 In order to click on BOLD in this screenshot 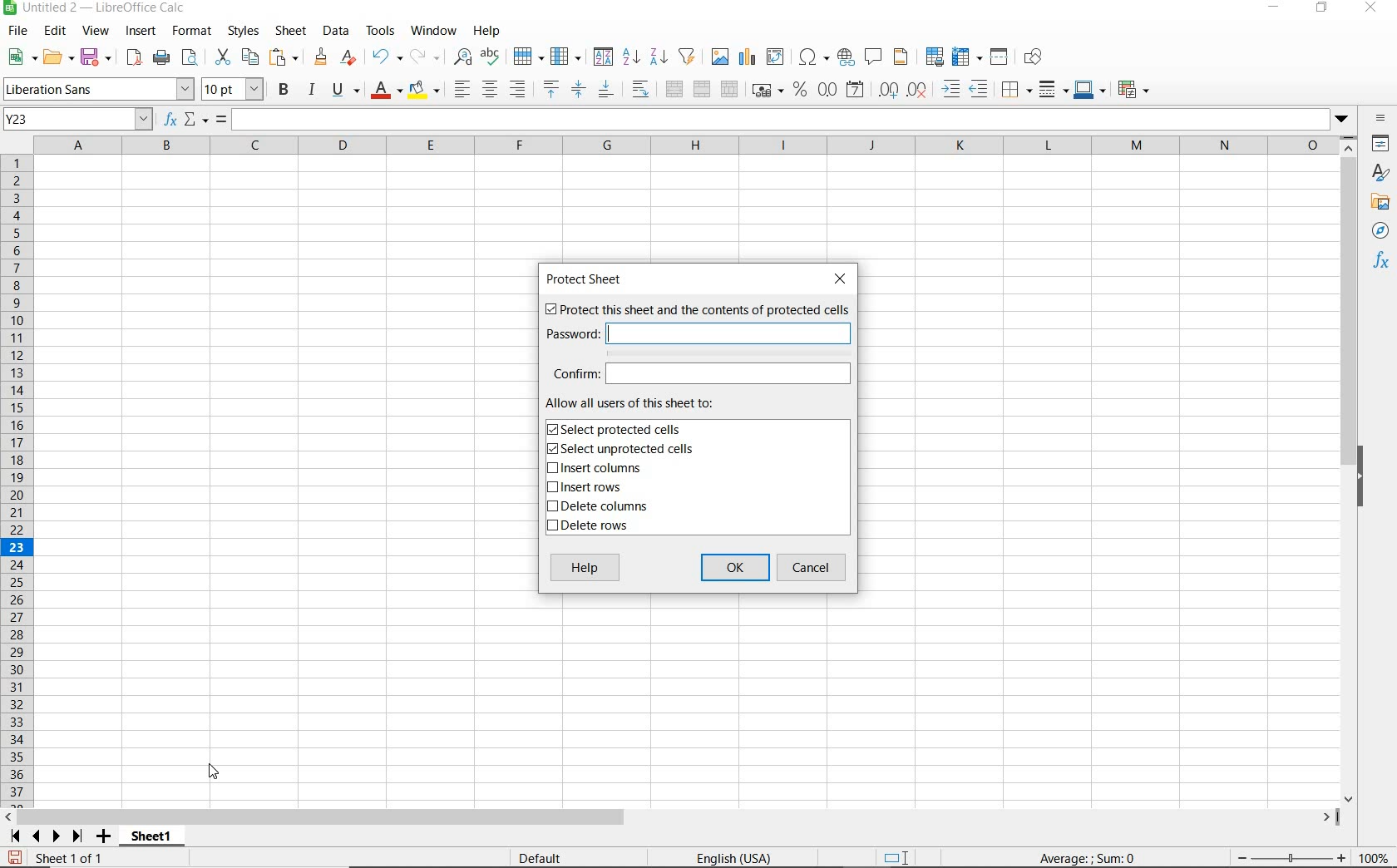, I will do `click(284, 91)`.